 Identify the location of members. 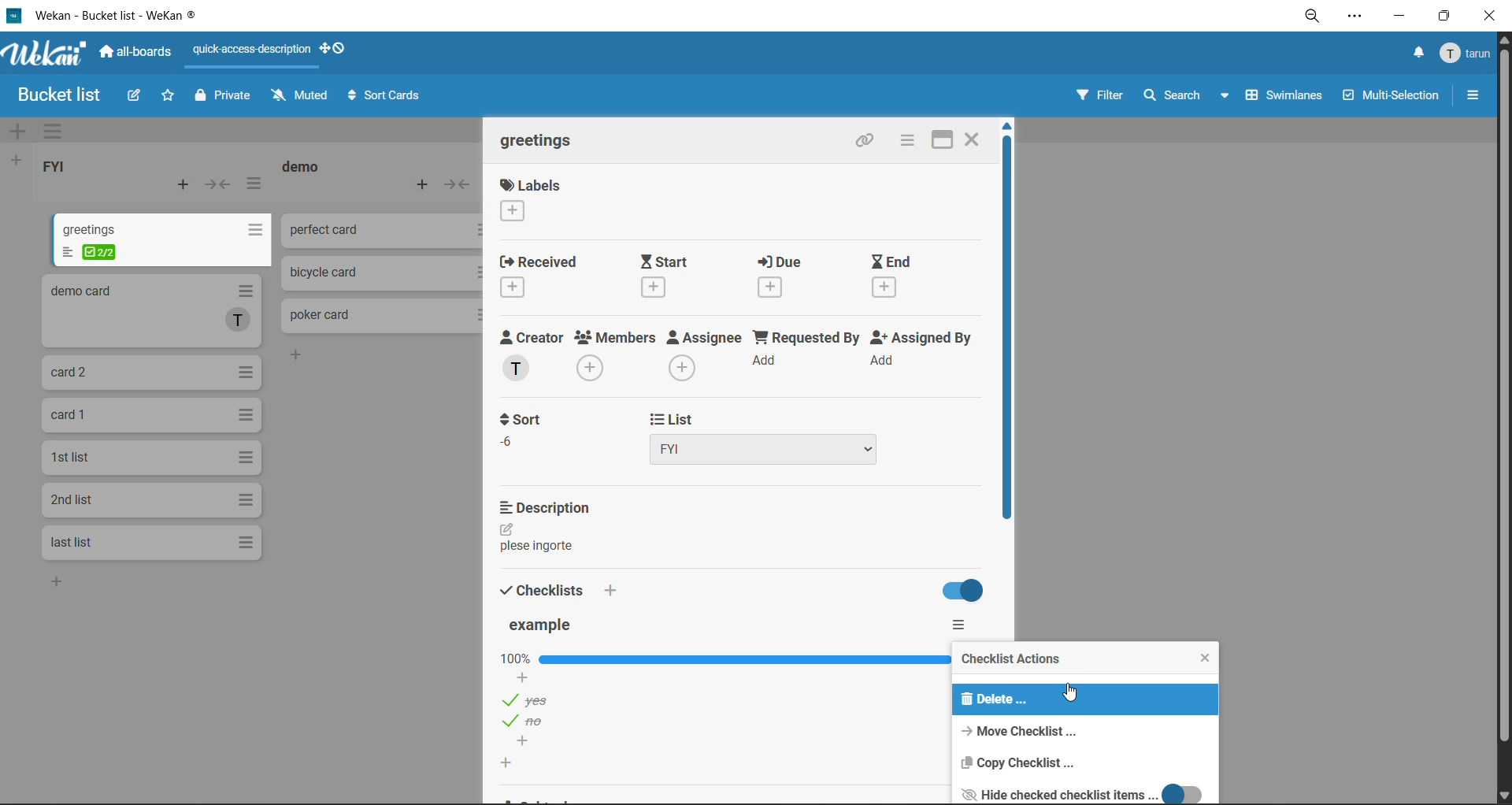
(612, 356).